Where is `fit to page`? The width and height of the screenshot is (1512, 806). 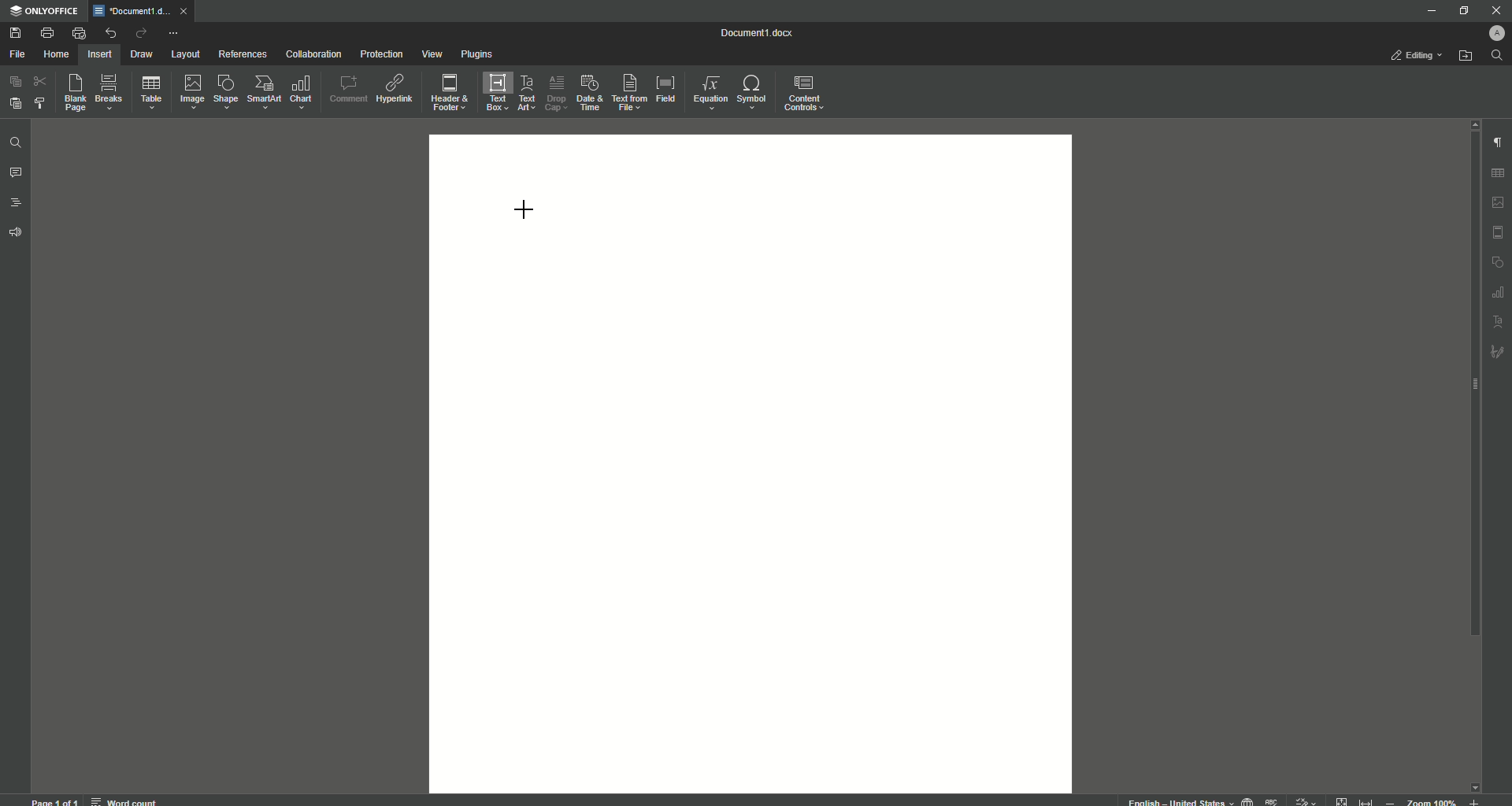
fit to page is located at coordinates (1343, 800).